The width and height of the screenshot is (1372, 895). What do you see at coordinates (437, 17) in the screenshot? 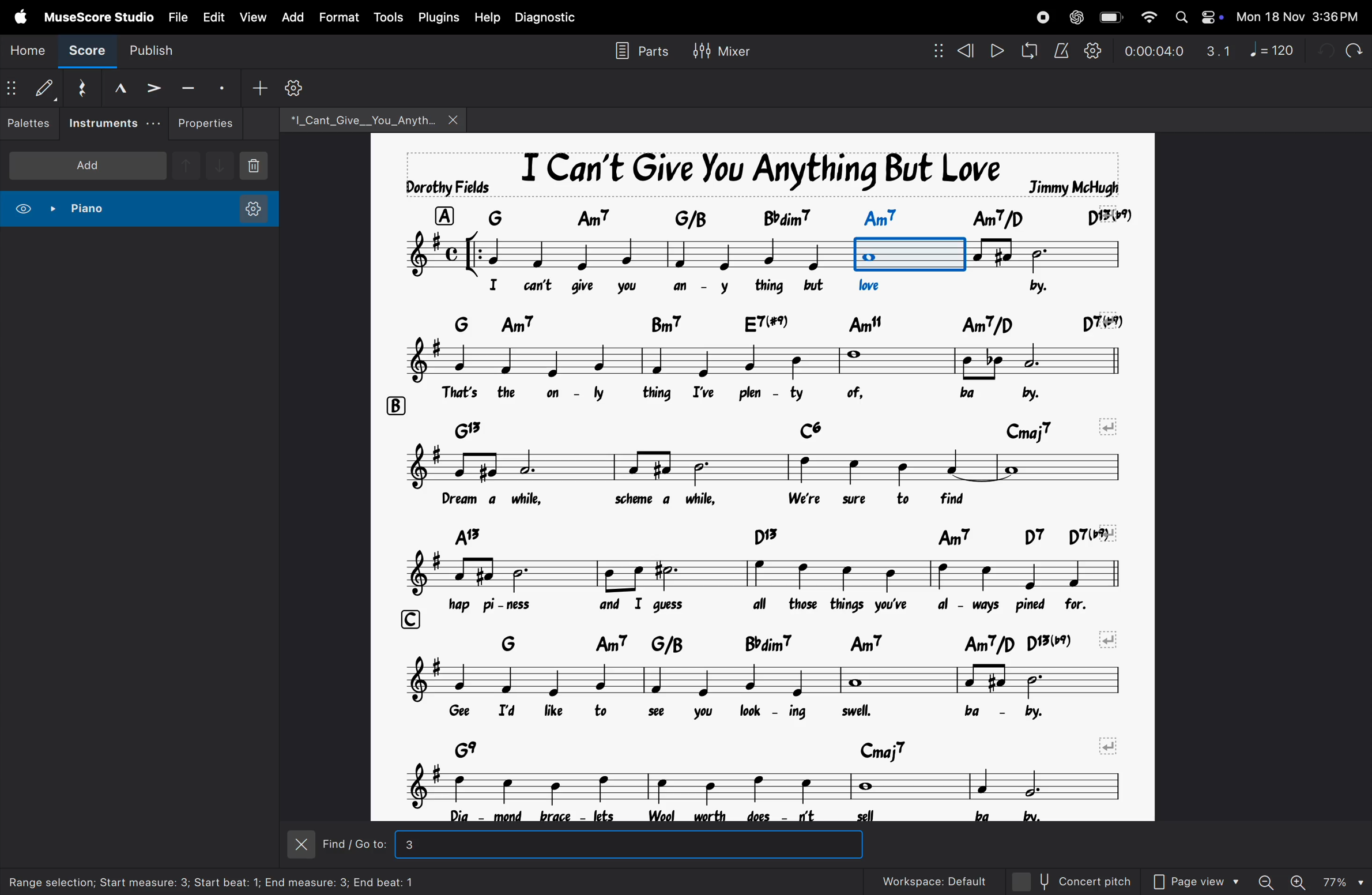
I see `plugins` at bounding box center [437, 17].